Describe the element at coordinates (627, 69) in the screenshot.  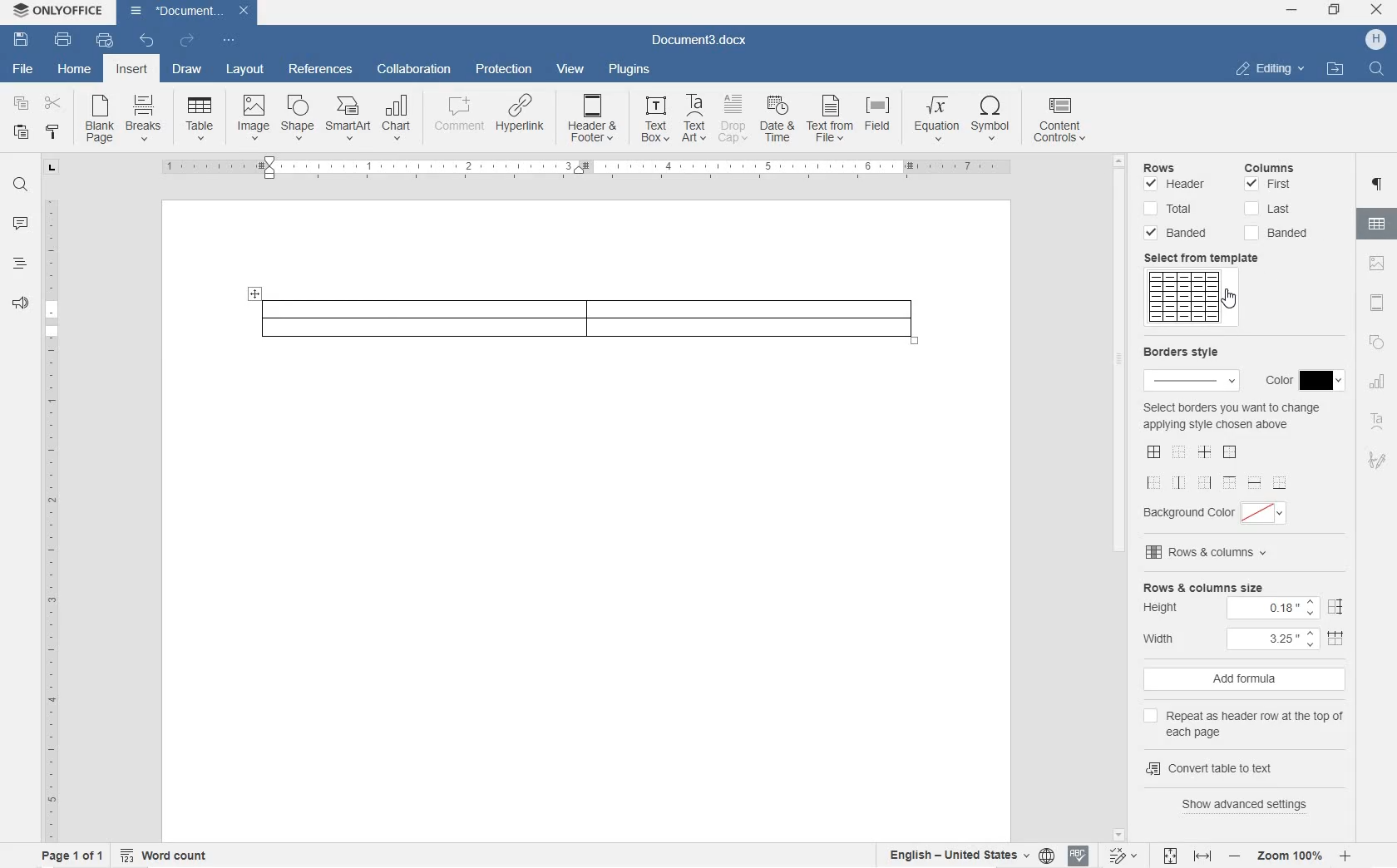
I see `PLUGINS` at that location.